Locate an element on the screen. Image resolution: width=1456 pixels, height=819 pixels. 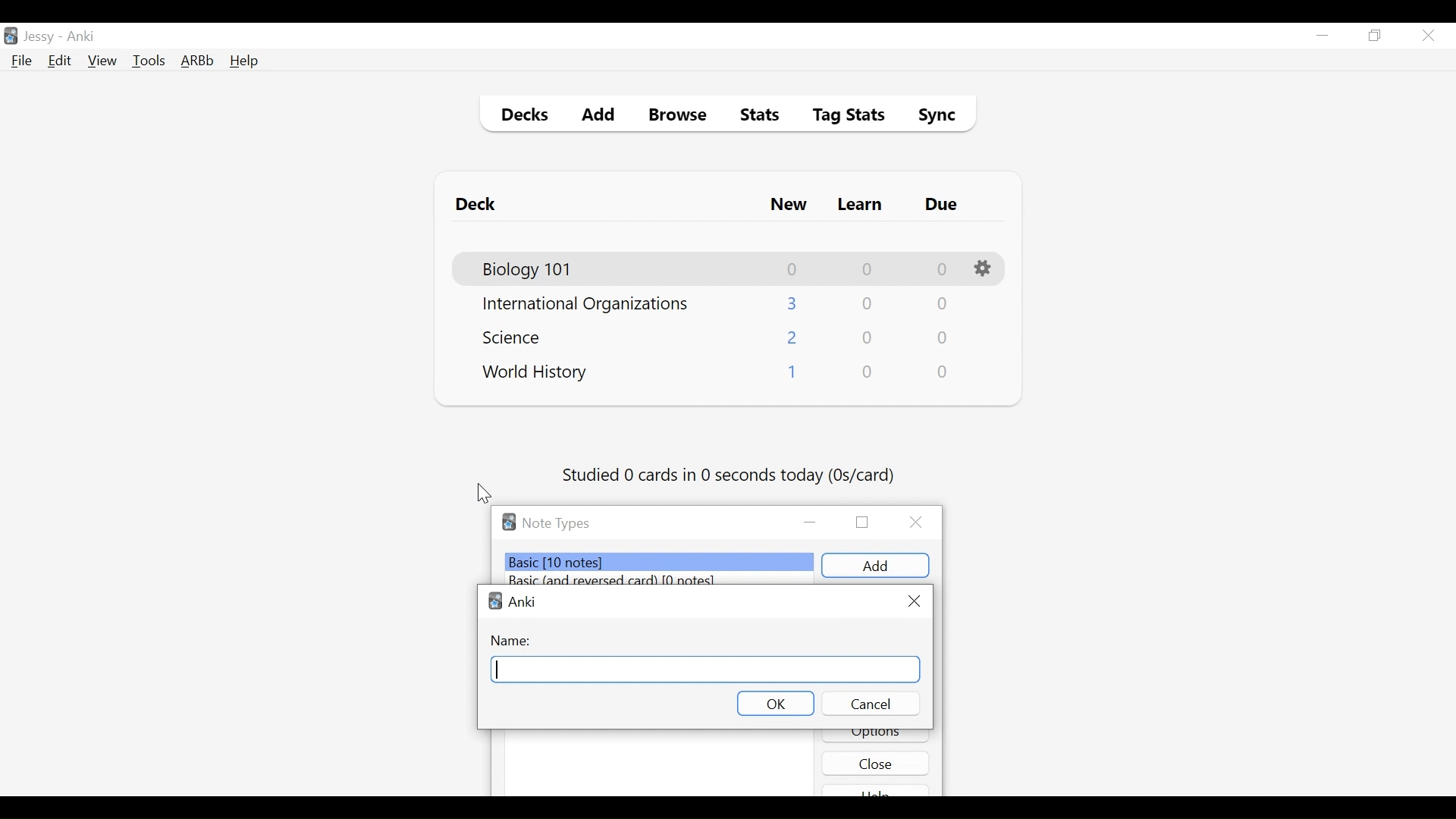
Name is located at coordinates (513, 640).